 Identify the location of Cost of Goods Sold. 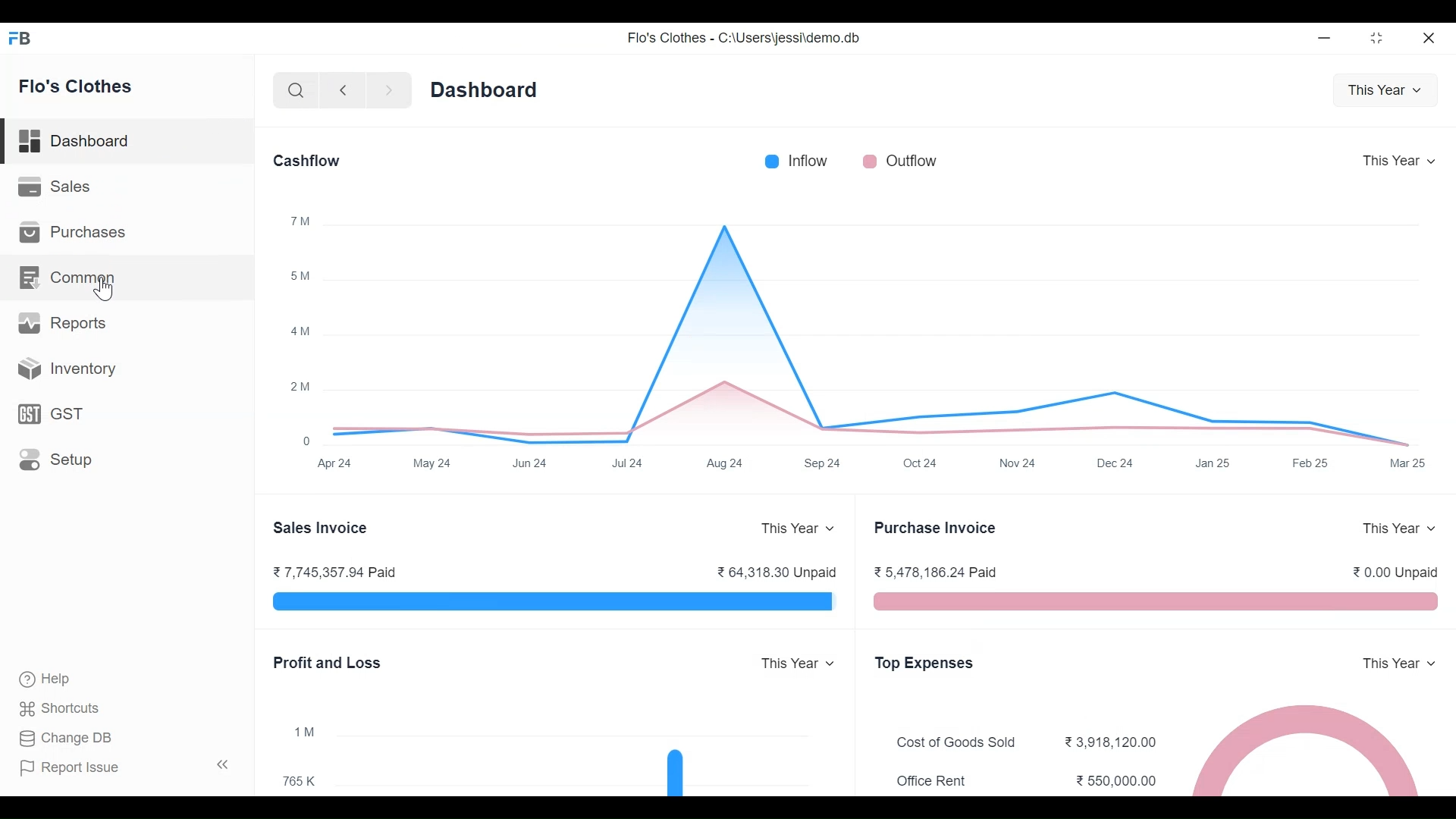
(962, 742).